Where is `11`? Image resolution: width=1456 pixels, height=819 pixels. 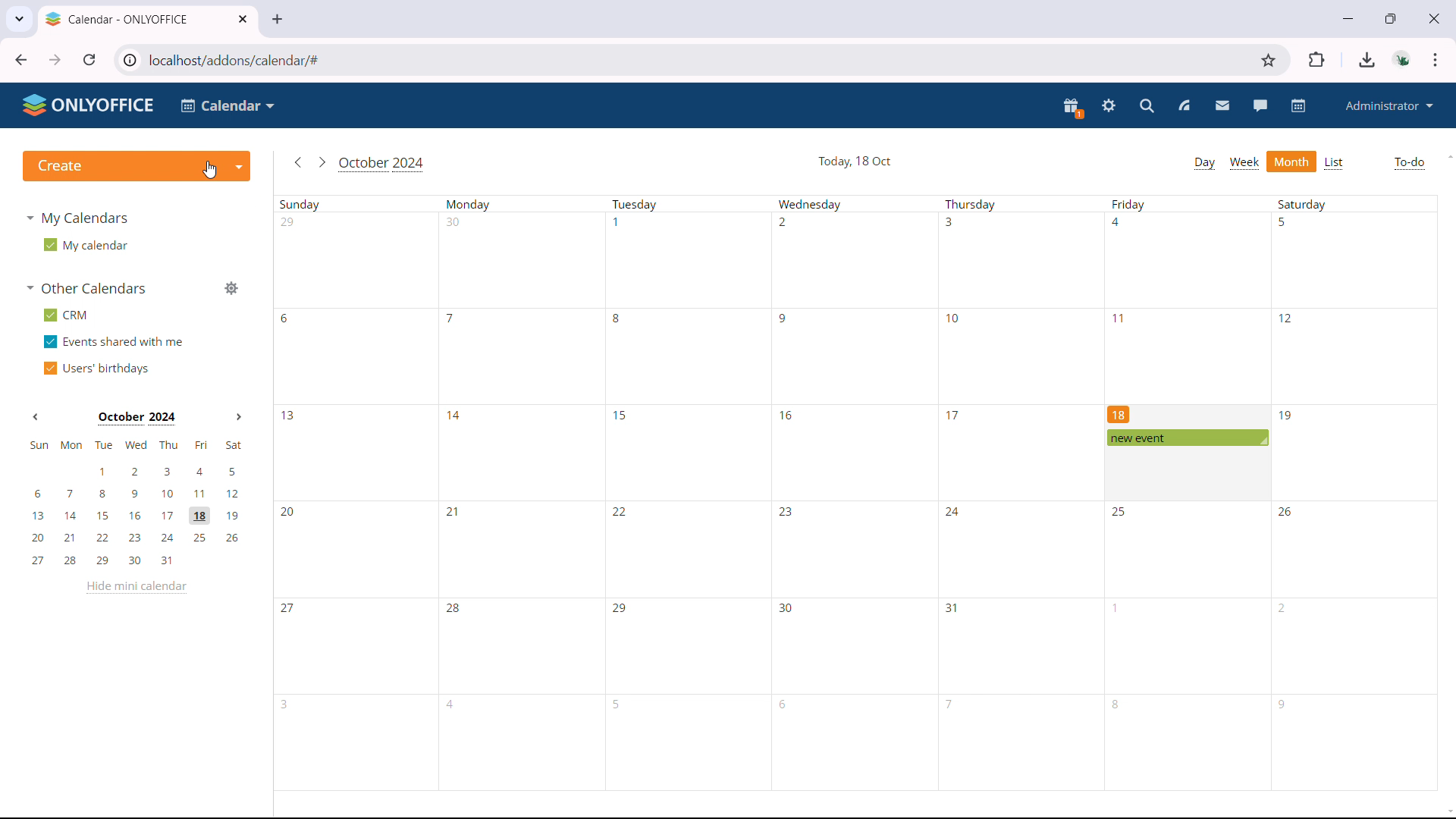 11 is located at coordinates (1122, 318).